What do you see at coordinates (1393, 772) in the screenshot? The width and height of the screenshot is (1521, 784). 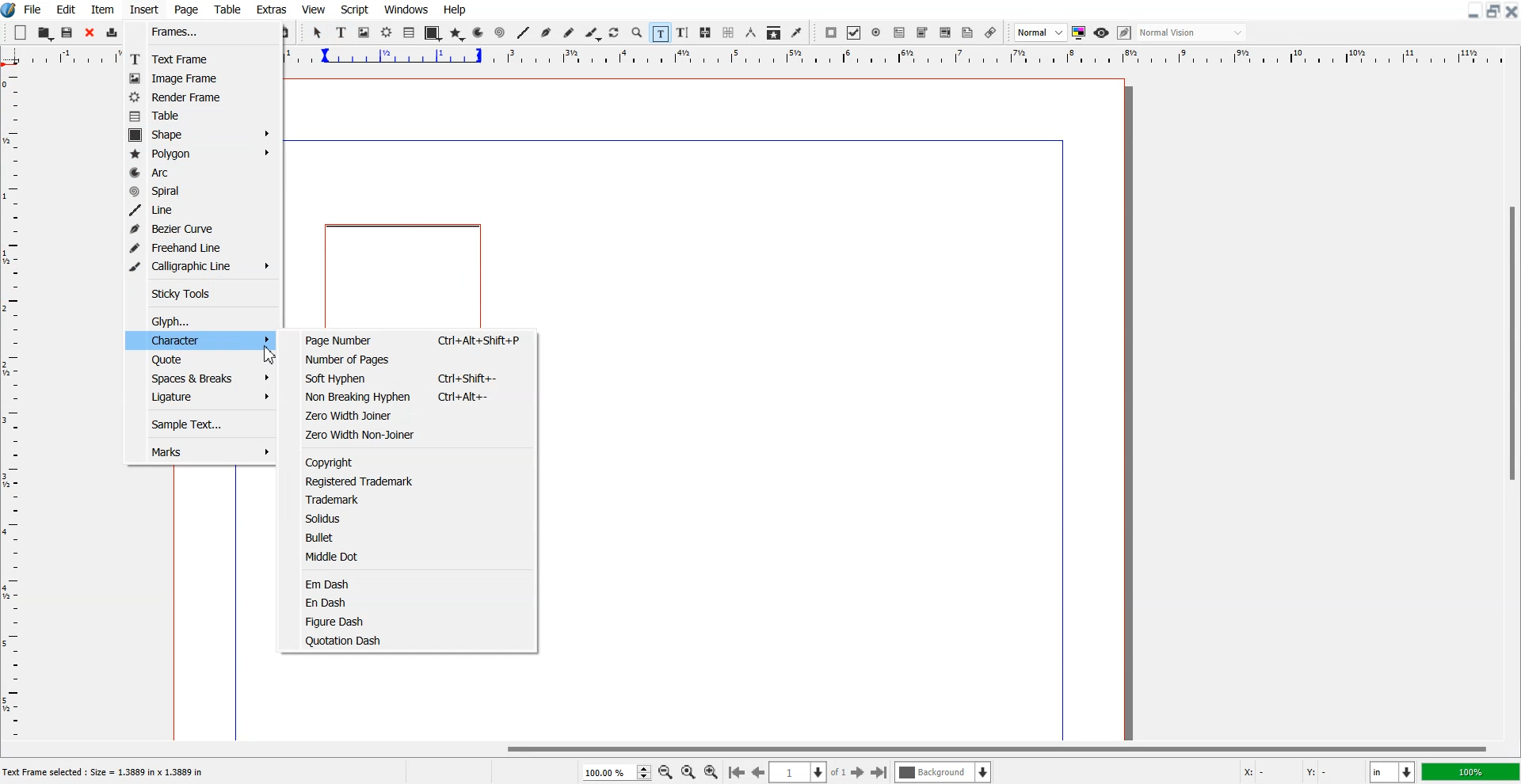 I see `Measurement in Inches` at bounding box center [1393, 772].